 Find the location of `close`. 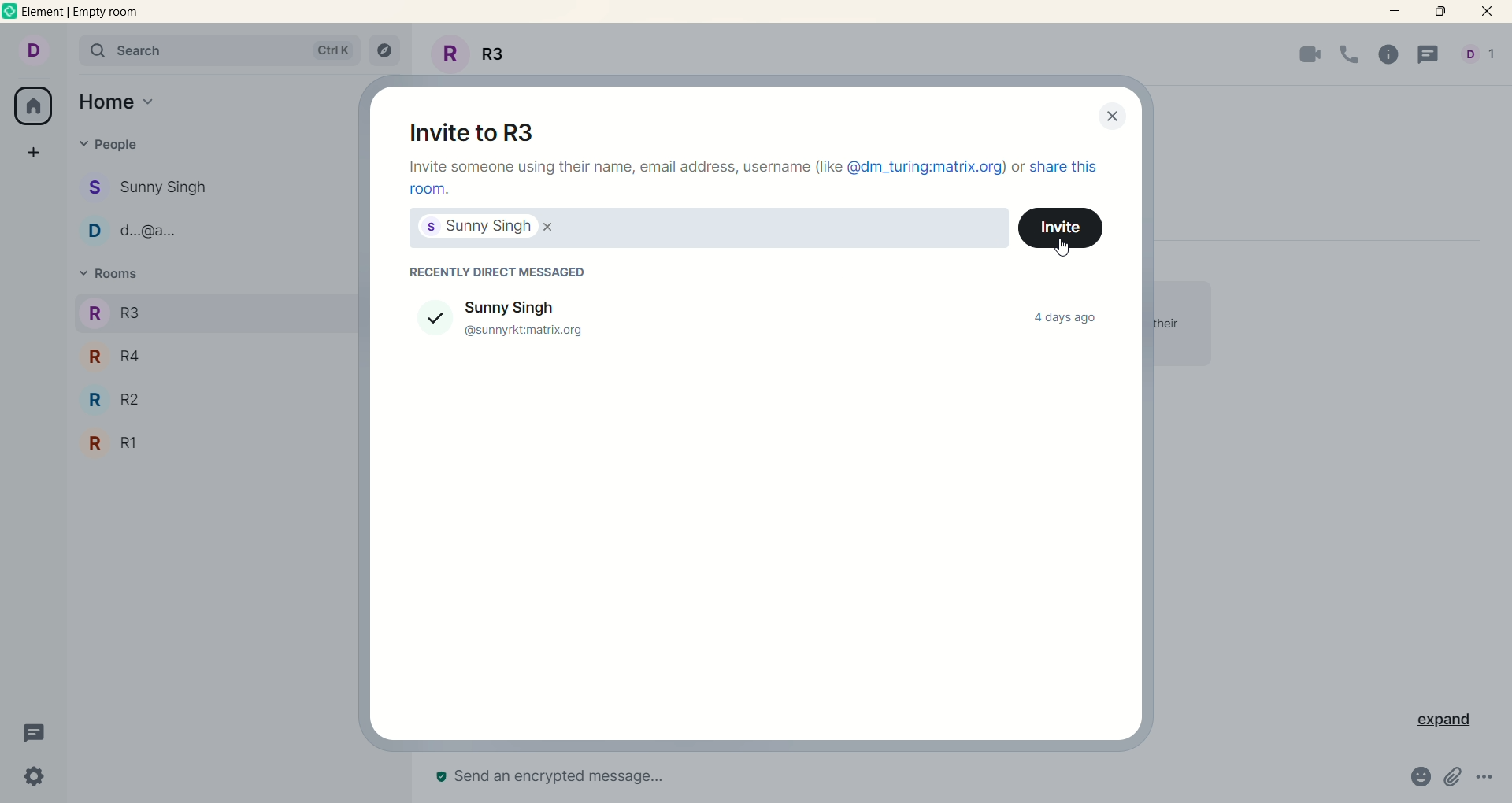

close is located at coordinates (1114, 117).